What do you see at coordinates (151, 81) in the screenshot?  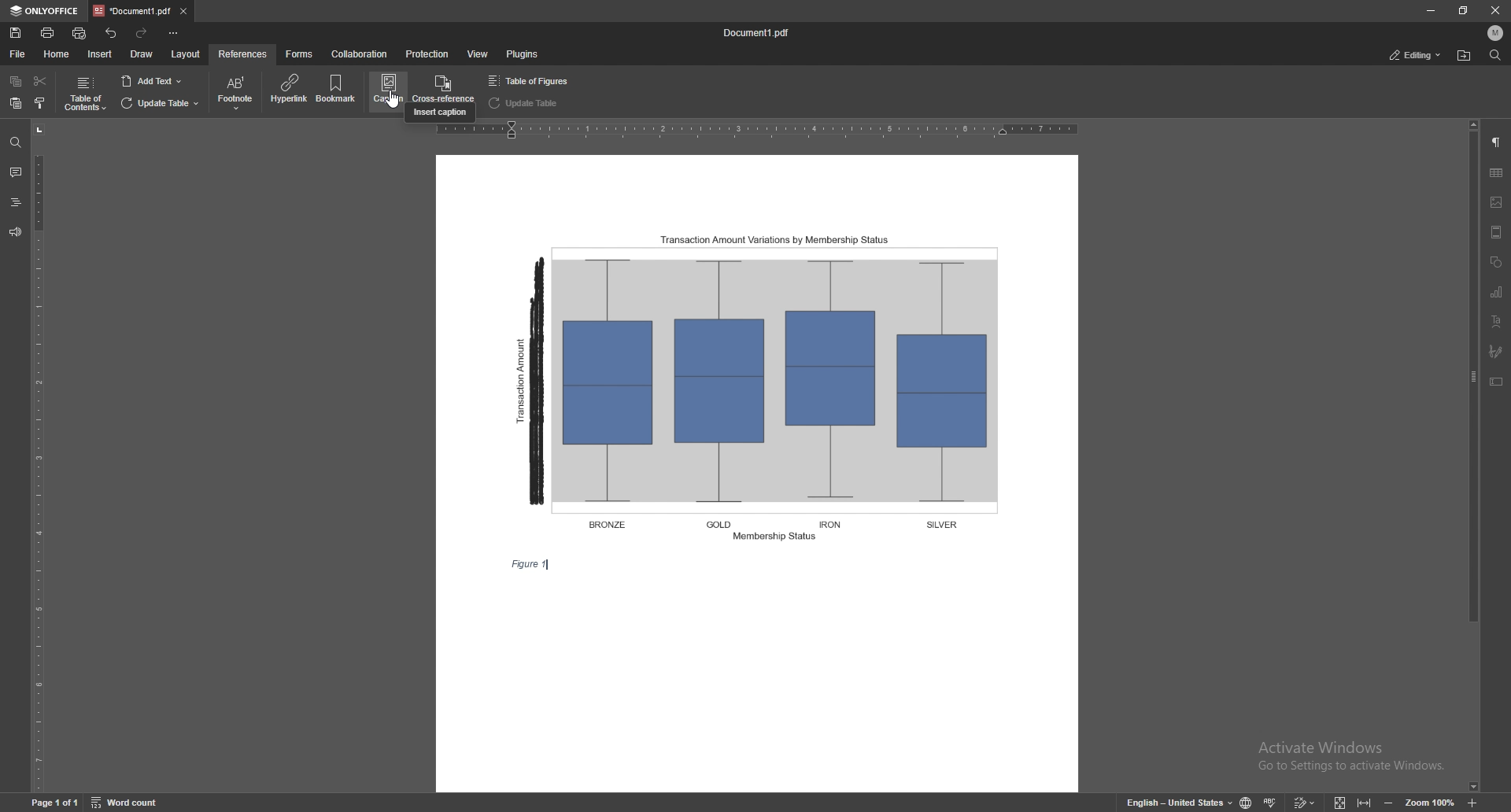 I see `add text` at bounding box center [151, 81].